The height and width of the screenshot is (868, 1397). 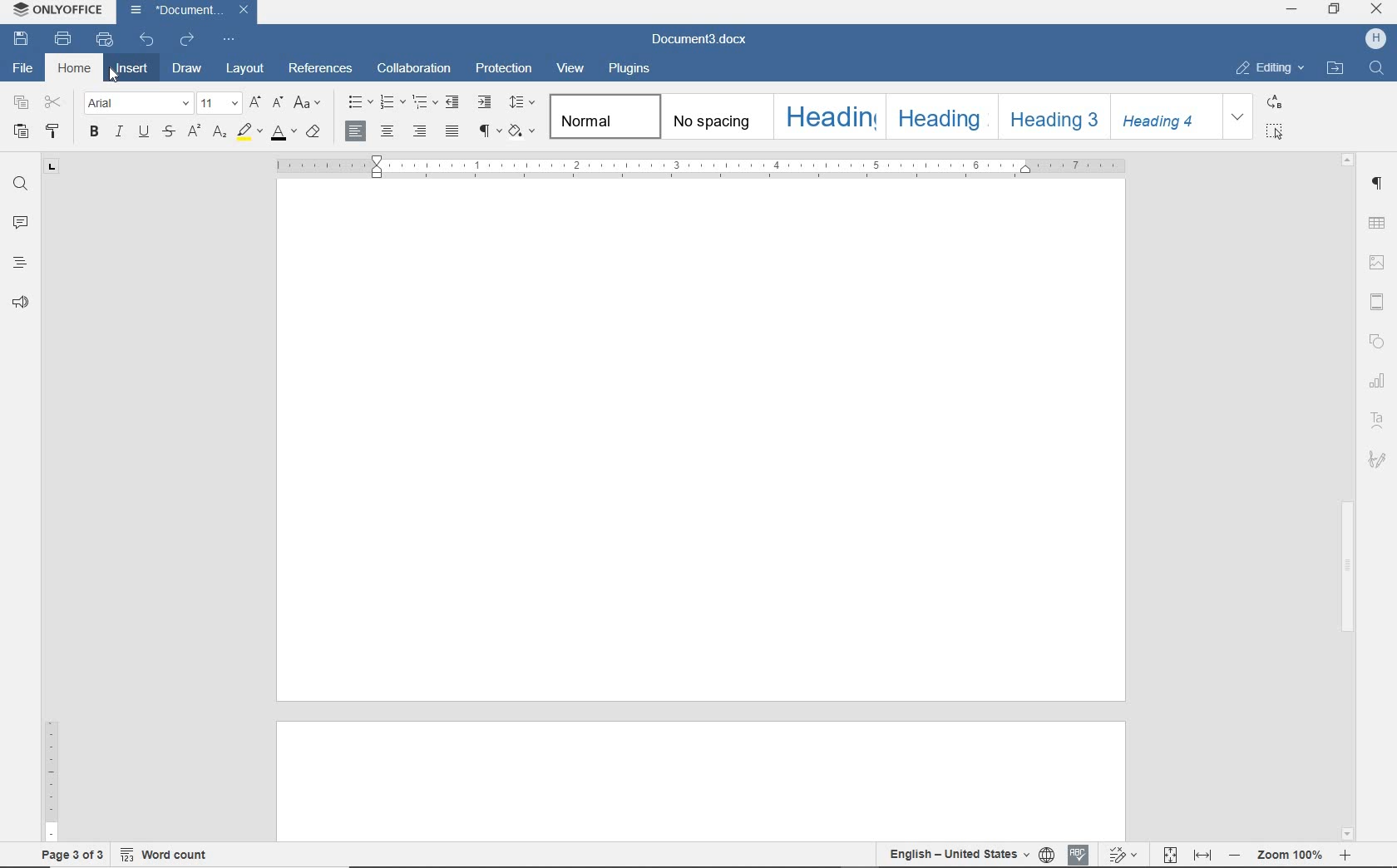 I want to click on STRIKETHROUGH, so click(x=169, y=133).